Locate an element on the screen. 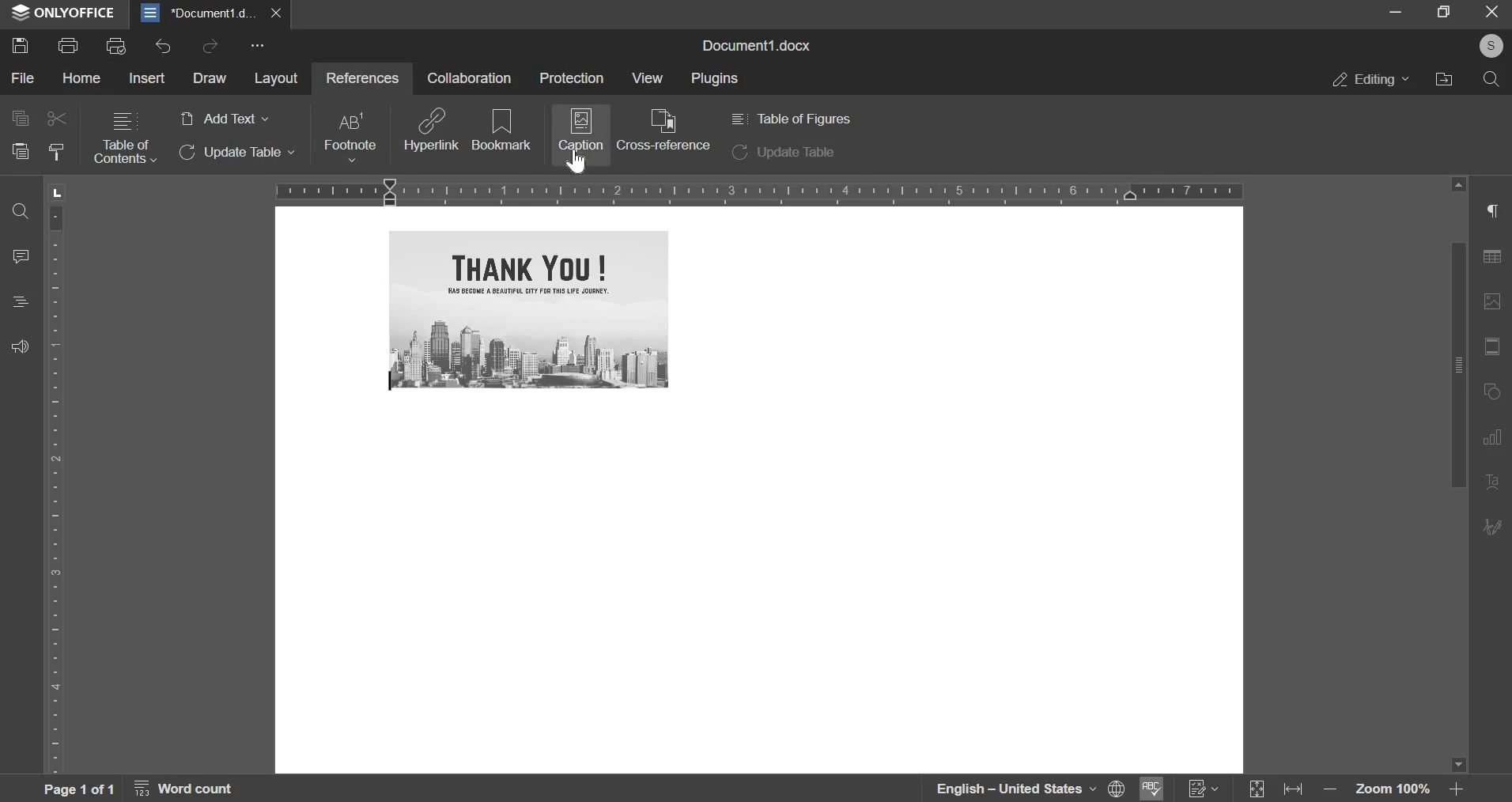 Image resolution: width=1512 pixels, height=802 pixels. zoom 100% is located at coordinates (1394, 791).